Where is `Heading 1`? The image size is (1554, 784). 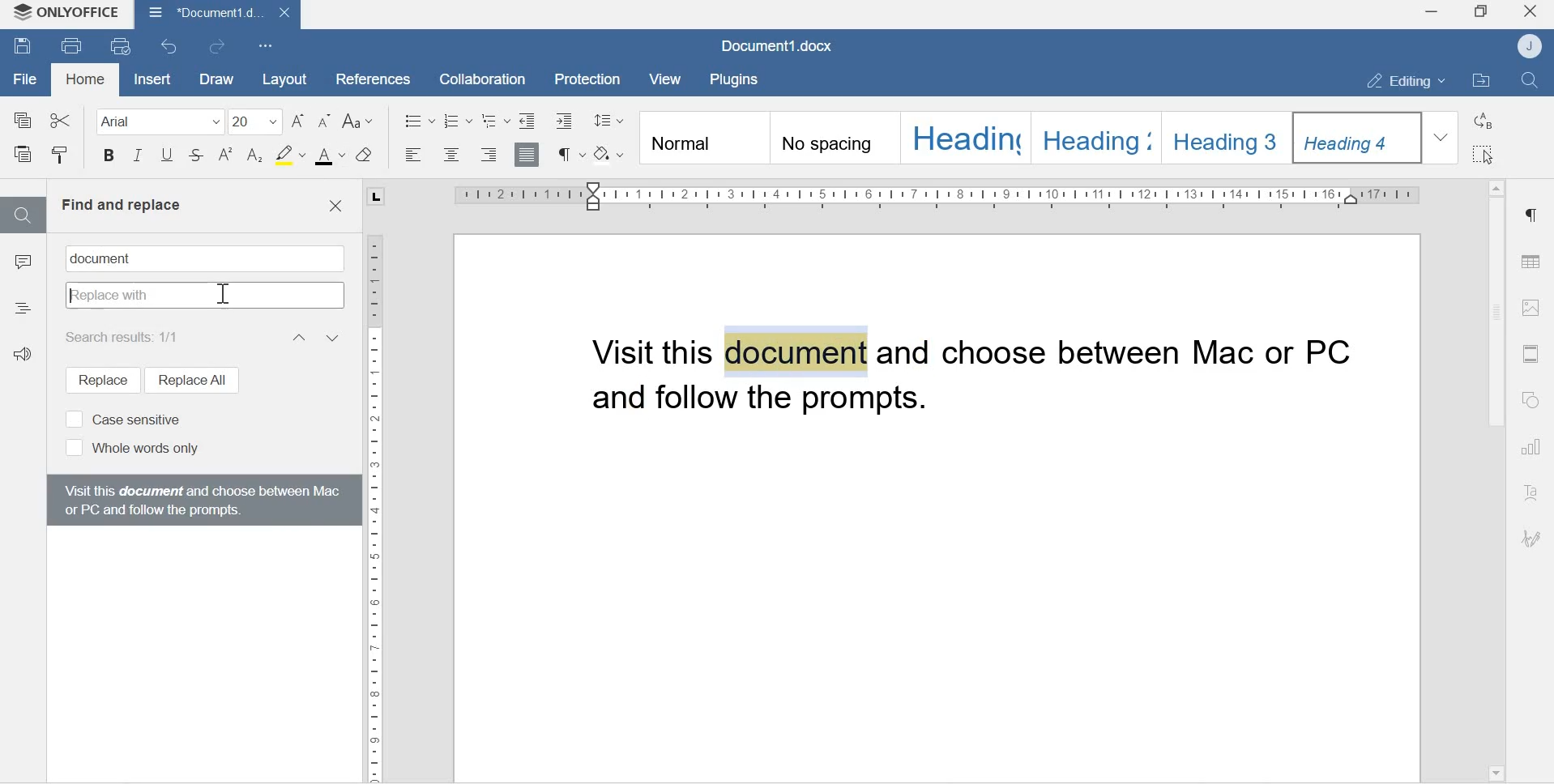
Heading 1 is located at coordinates (965, 137).